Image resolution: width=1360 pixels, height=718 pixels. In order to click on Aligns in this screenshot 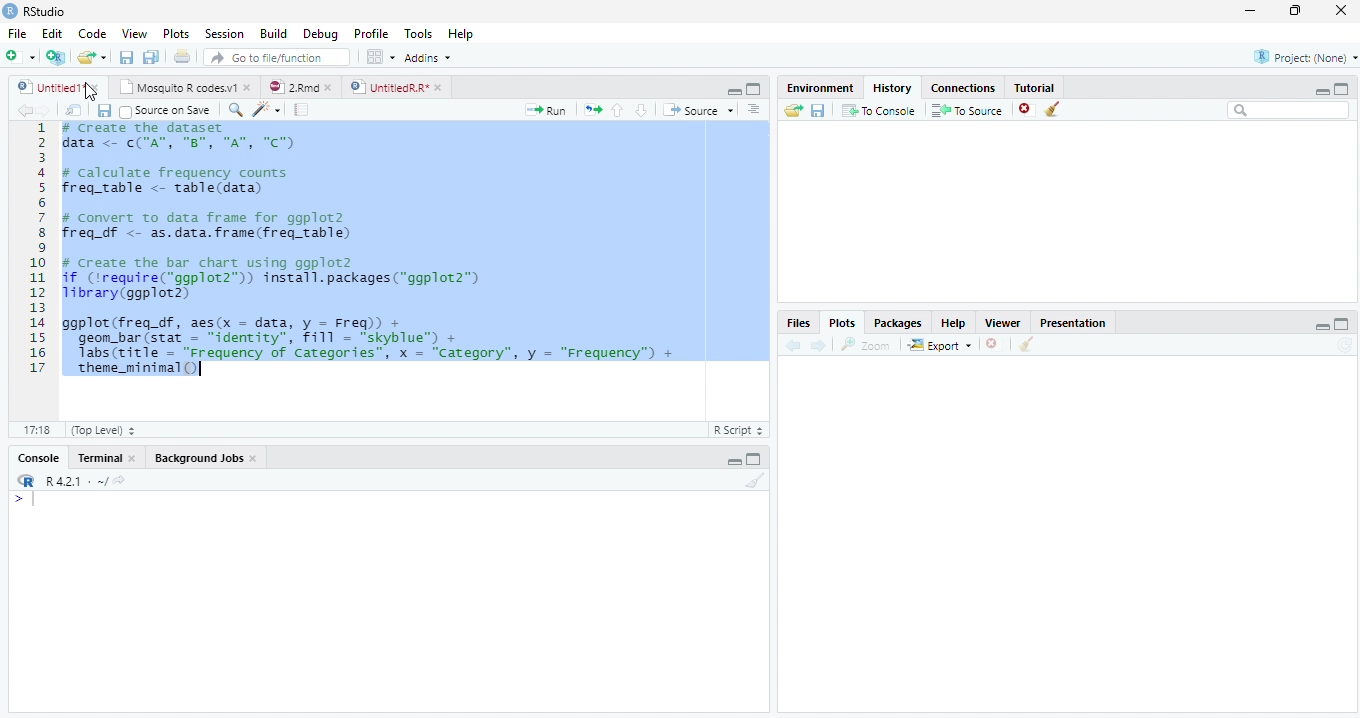, I will do `click(755, 110)`.